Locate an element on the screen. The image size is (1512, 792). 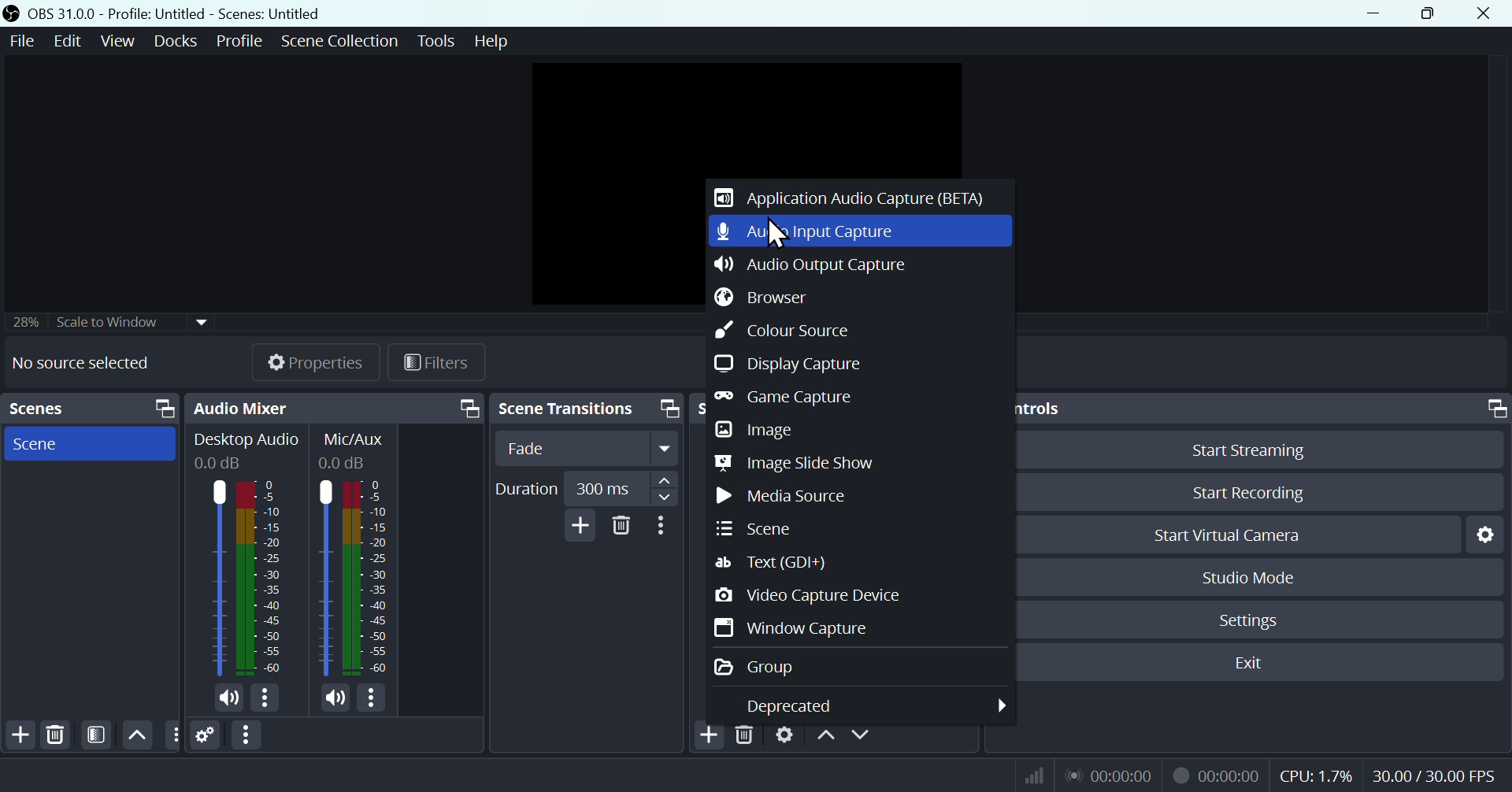
0.0dB is located at coordinates (345, 463).